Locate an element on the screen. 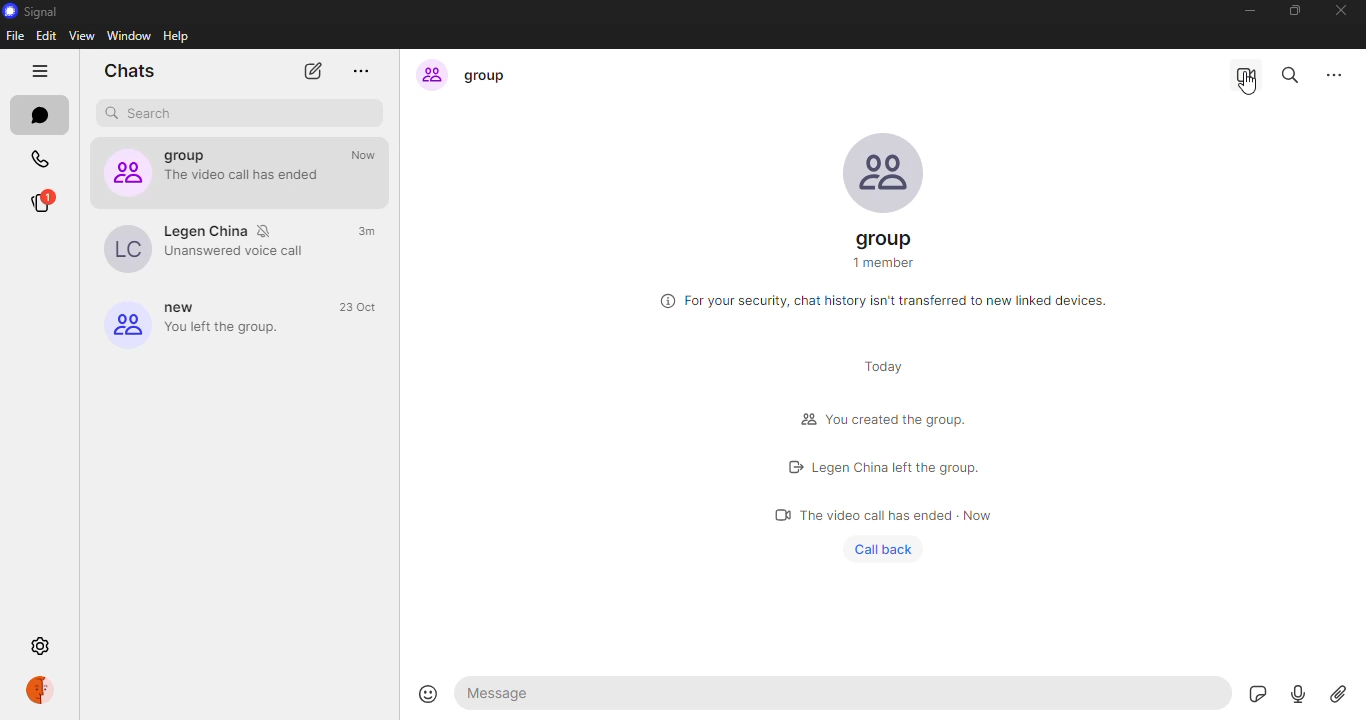  You created the group. is located at coordinates (898, 419).